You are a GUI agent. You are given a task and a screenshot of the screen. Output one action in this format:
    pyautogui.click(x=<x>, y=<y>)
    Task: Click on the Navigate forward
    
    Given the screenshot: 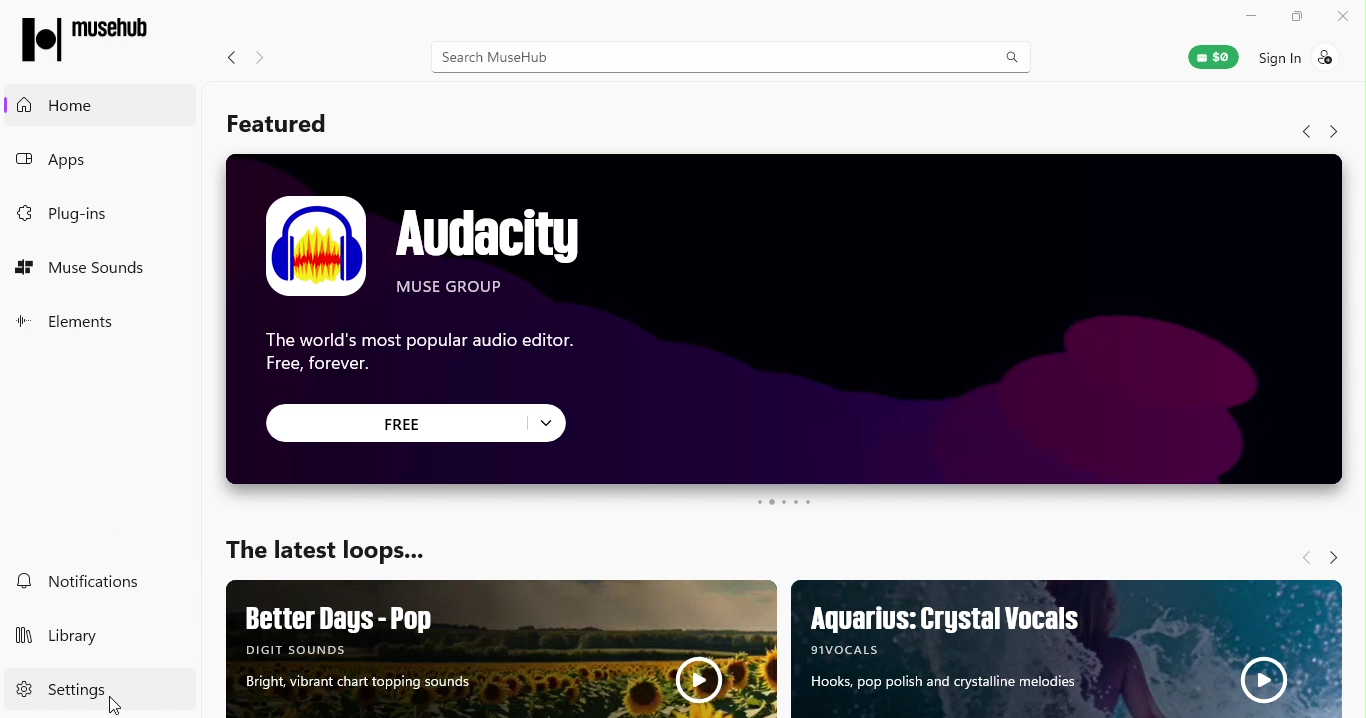 What is the action you would take?
    pyautogui.click(x=260, y=57)
    